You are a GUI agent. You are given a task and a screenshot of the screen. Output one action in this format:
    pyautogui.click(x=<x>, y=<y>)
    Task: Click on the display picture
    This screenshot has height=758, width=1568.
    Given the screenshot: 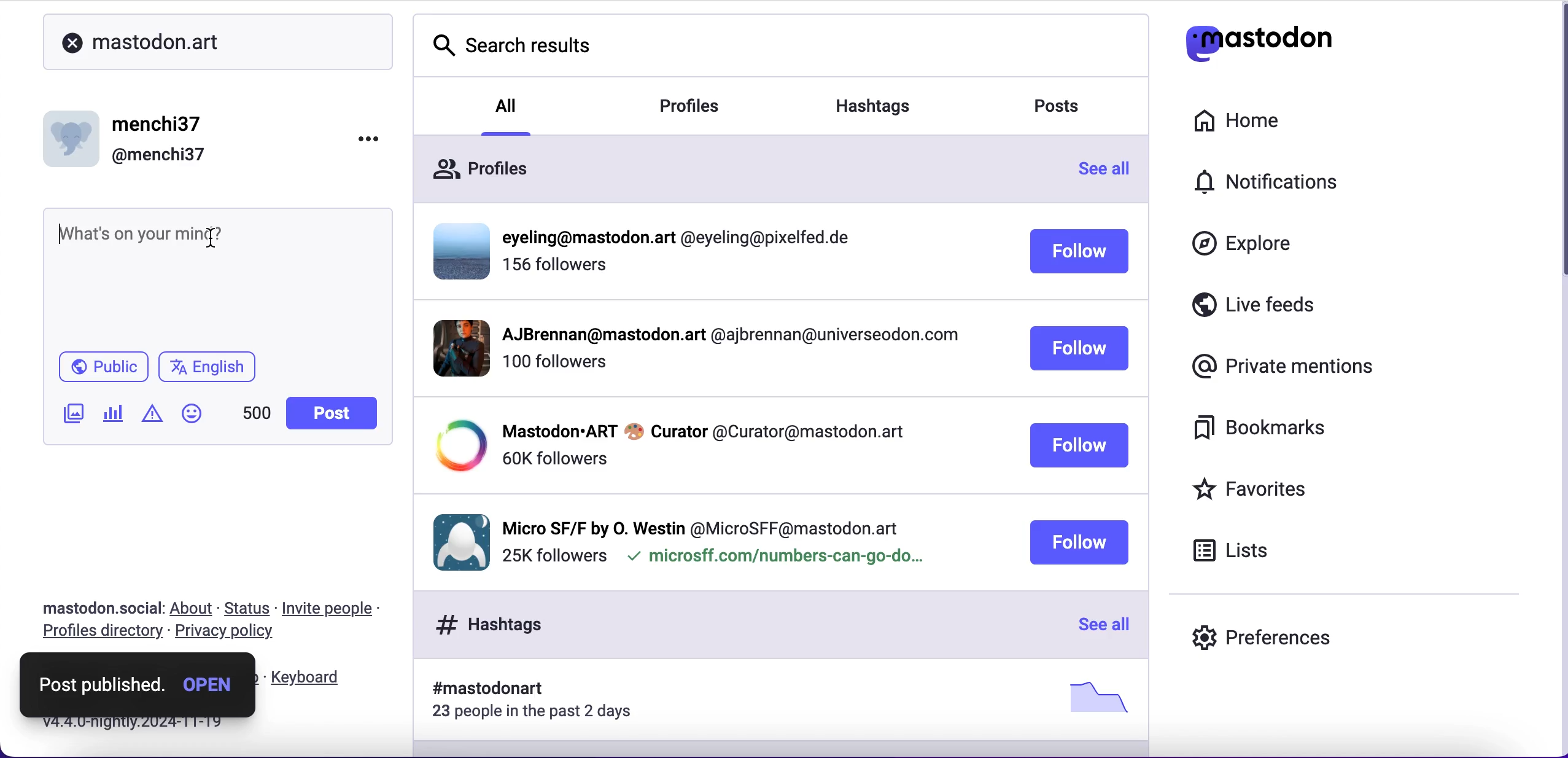 What is the action you would take?
    pyautogui.click(x=457, y=249)
    